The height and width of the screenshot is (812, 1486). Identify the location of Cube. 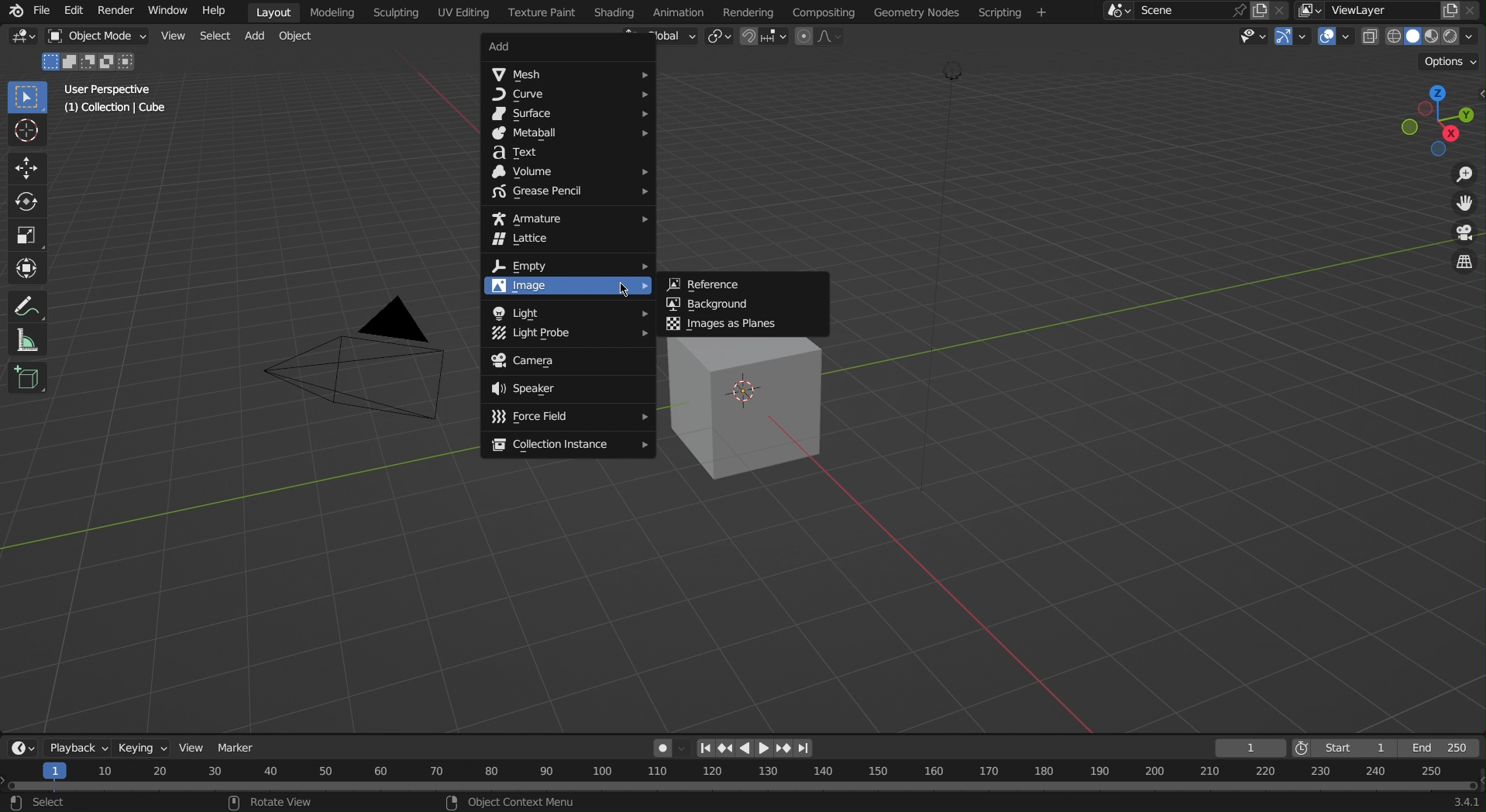
(751, 409).